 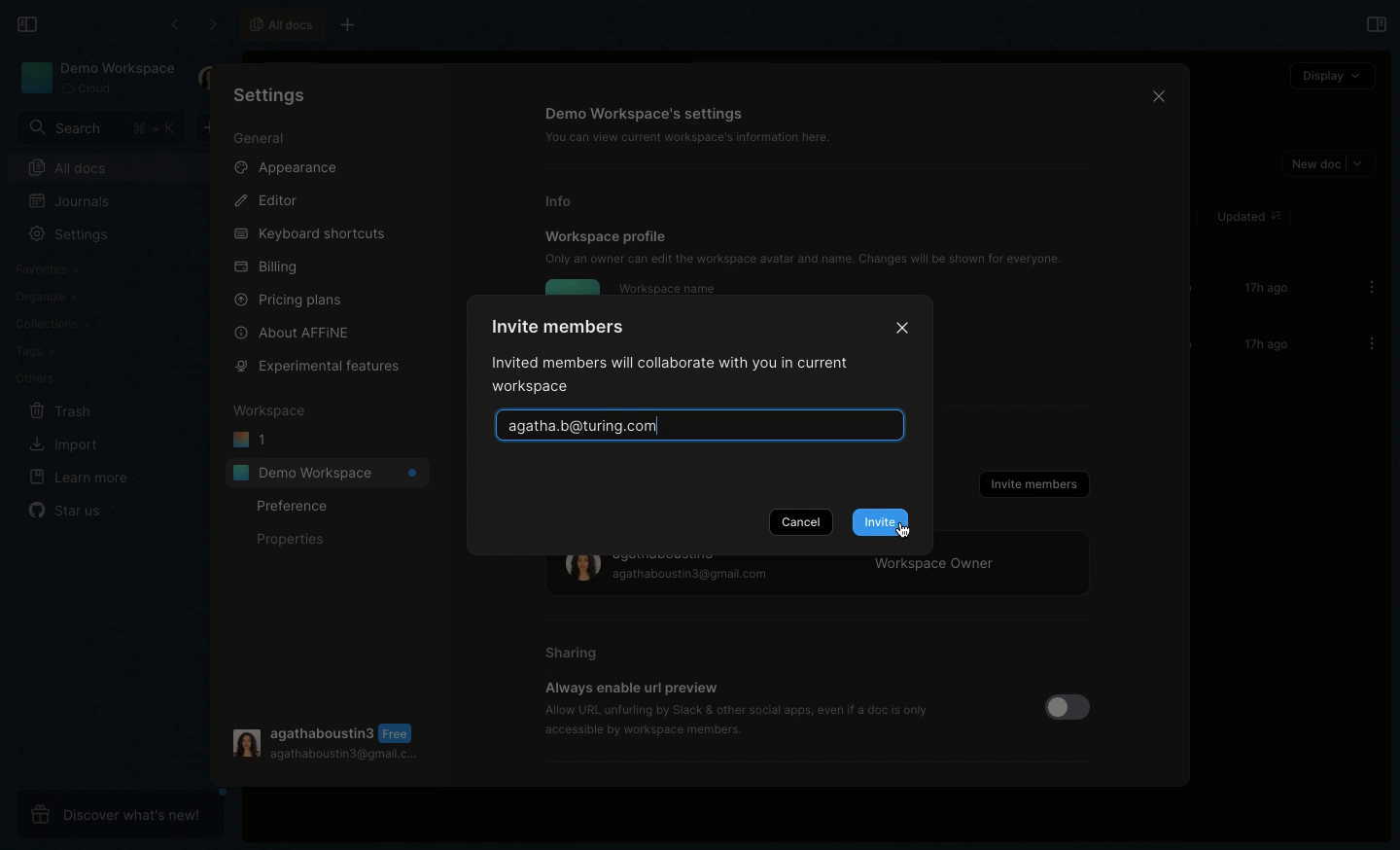 What do you see at coordinates (82, 478) in the screenshot?
I see `Learn more` at bounding box center [82, 478].